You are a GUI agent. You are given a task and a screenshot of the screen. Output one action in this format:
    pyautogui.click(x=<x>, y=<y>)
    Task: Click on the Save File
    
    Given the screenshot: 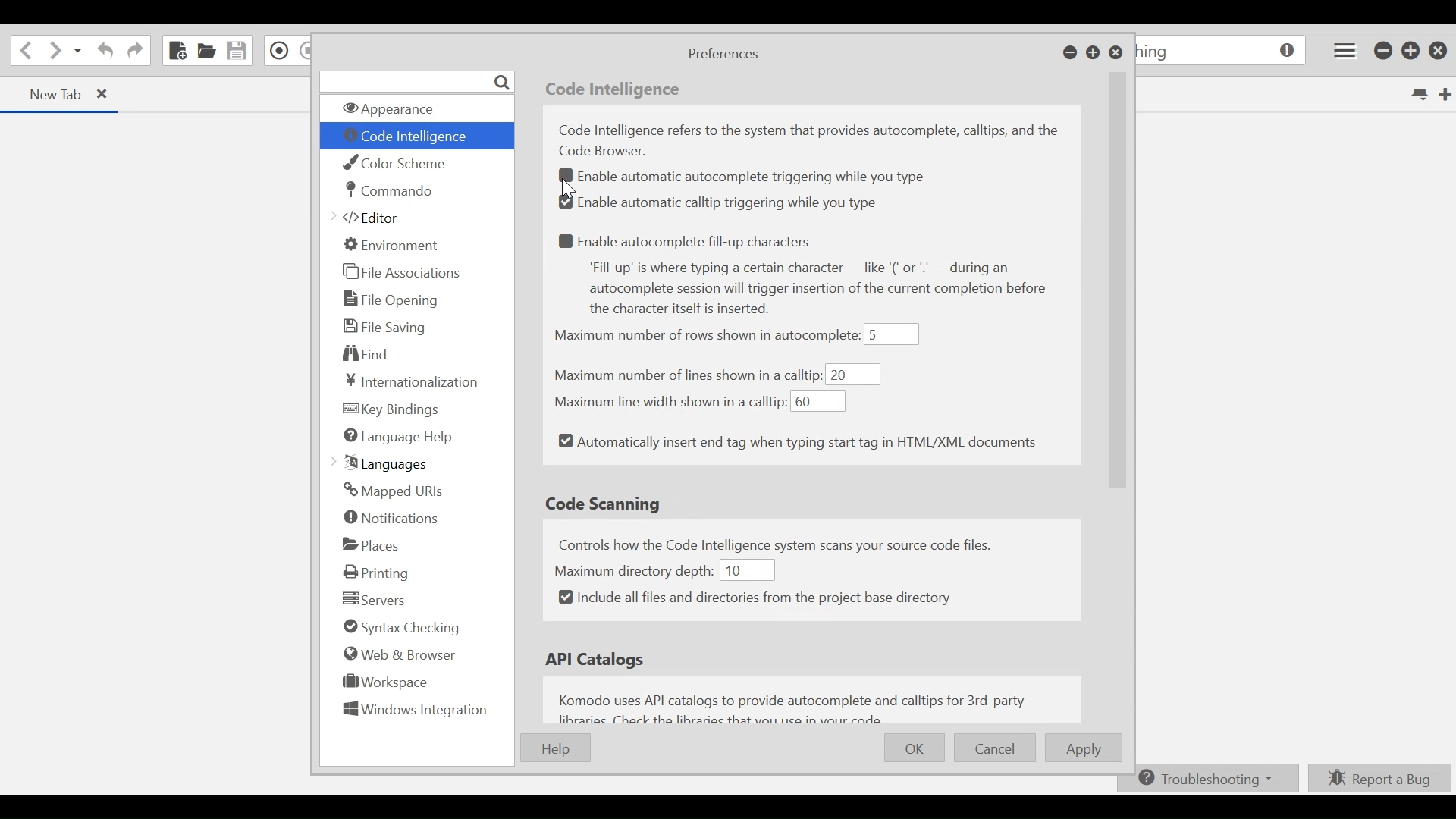 What is the action you would take?
    pyautogui.click(x=238, y=50)
    